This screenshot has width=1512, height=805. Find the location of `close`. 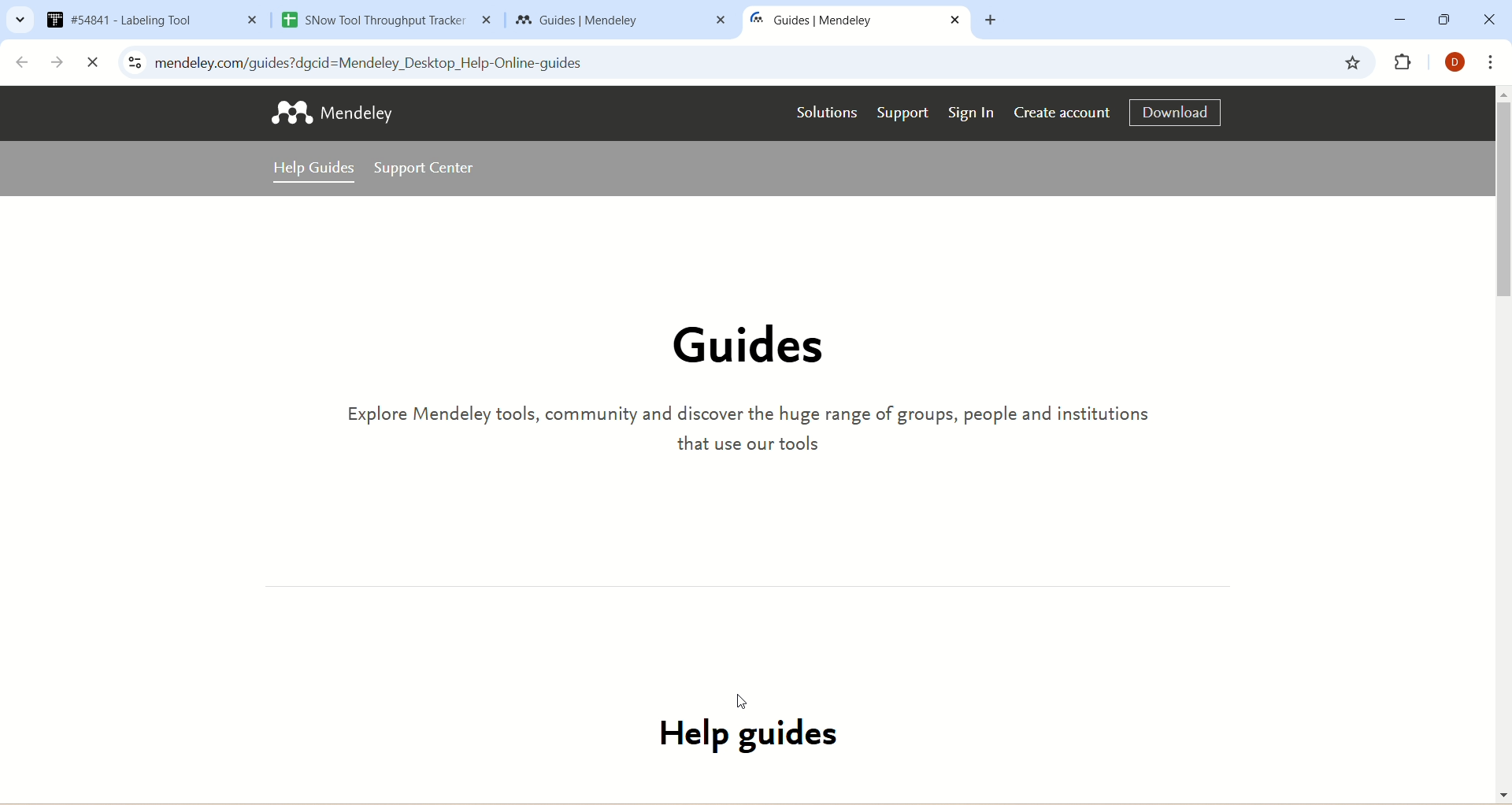

close is located at coordinates (1489, 20).